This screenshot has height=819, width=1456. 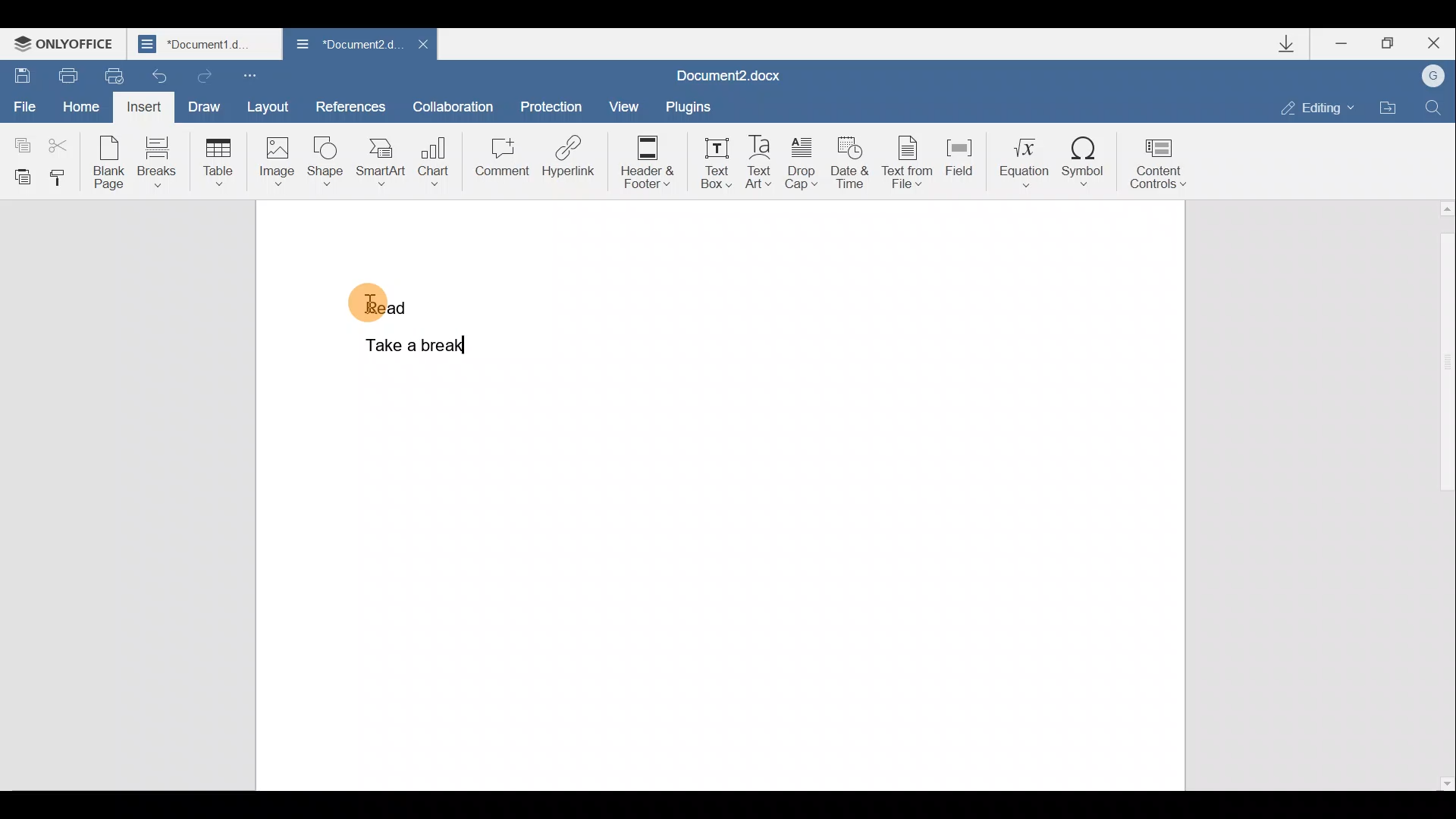 I want to click on Draw, so click(x=206, y=105).